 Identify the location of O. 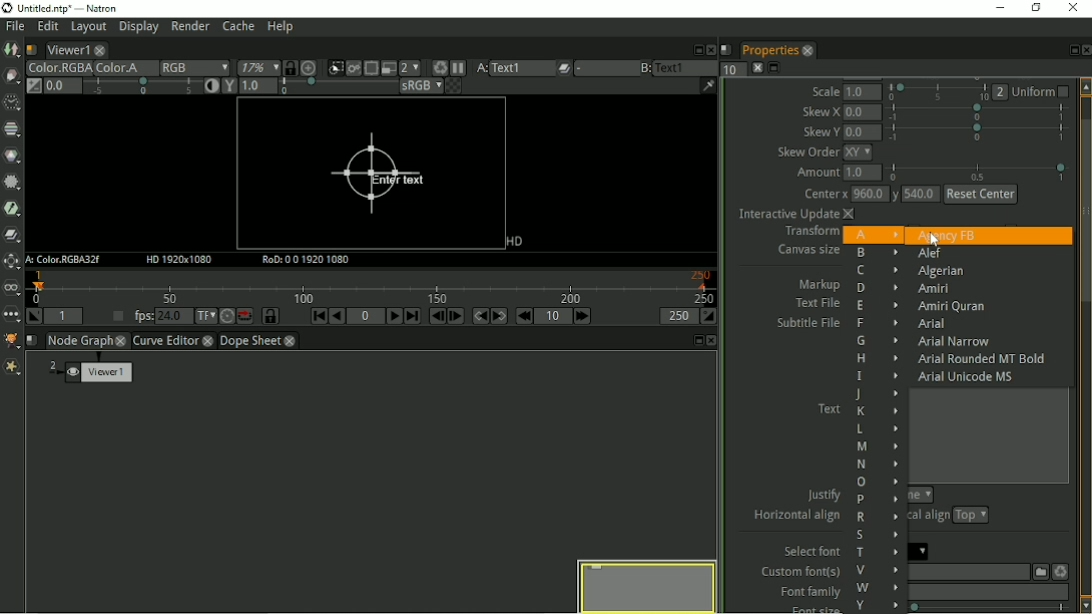
(876, 483).